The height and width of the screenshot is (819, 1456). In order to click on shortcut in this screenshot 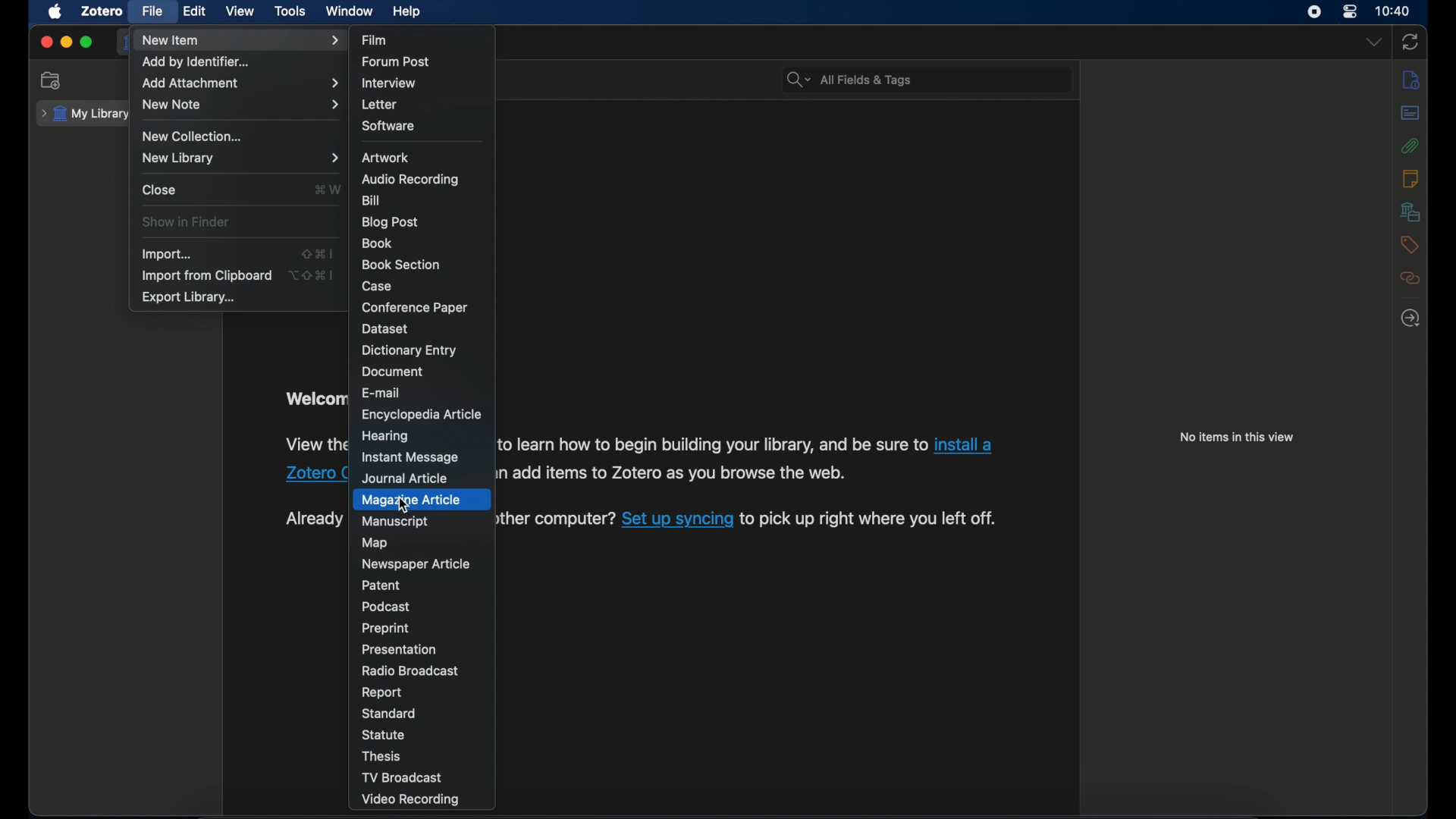, I will do `click(312, 274)`.